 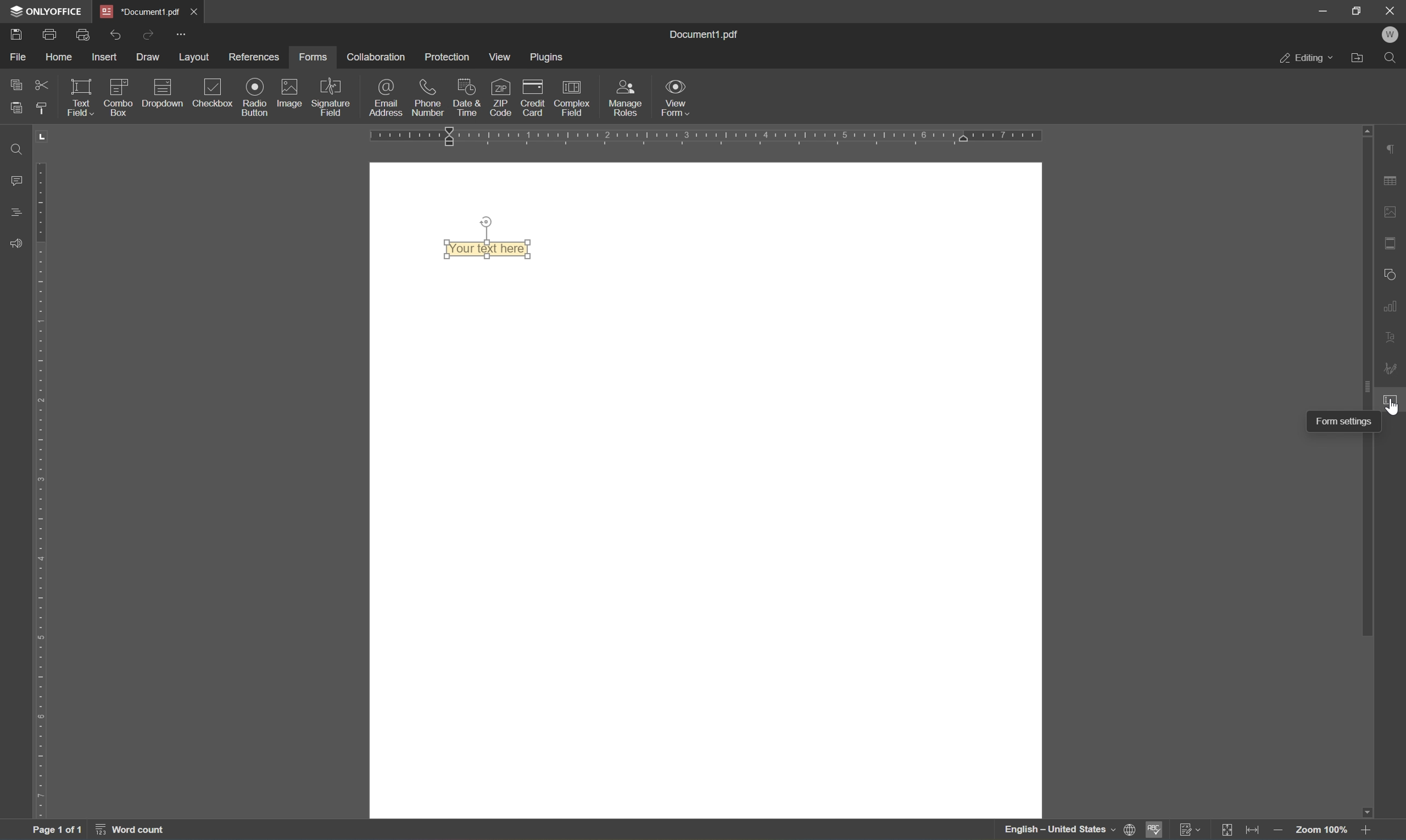 What do you see at coordinates (1392, 339) in the screenshot?
I see `text art settings` at bounding box center [1392, 339].